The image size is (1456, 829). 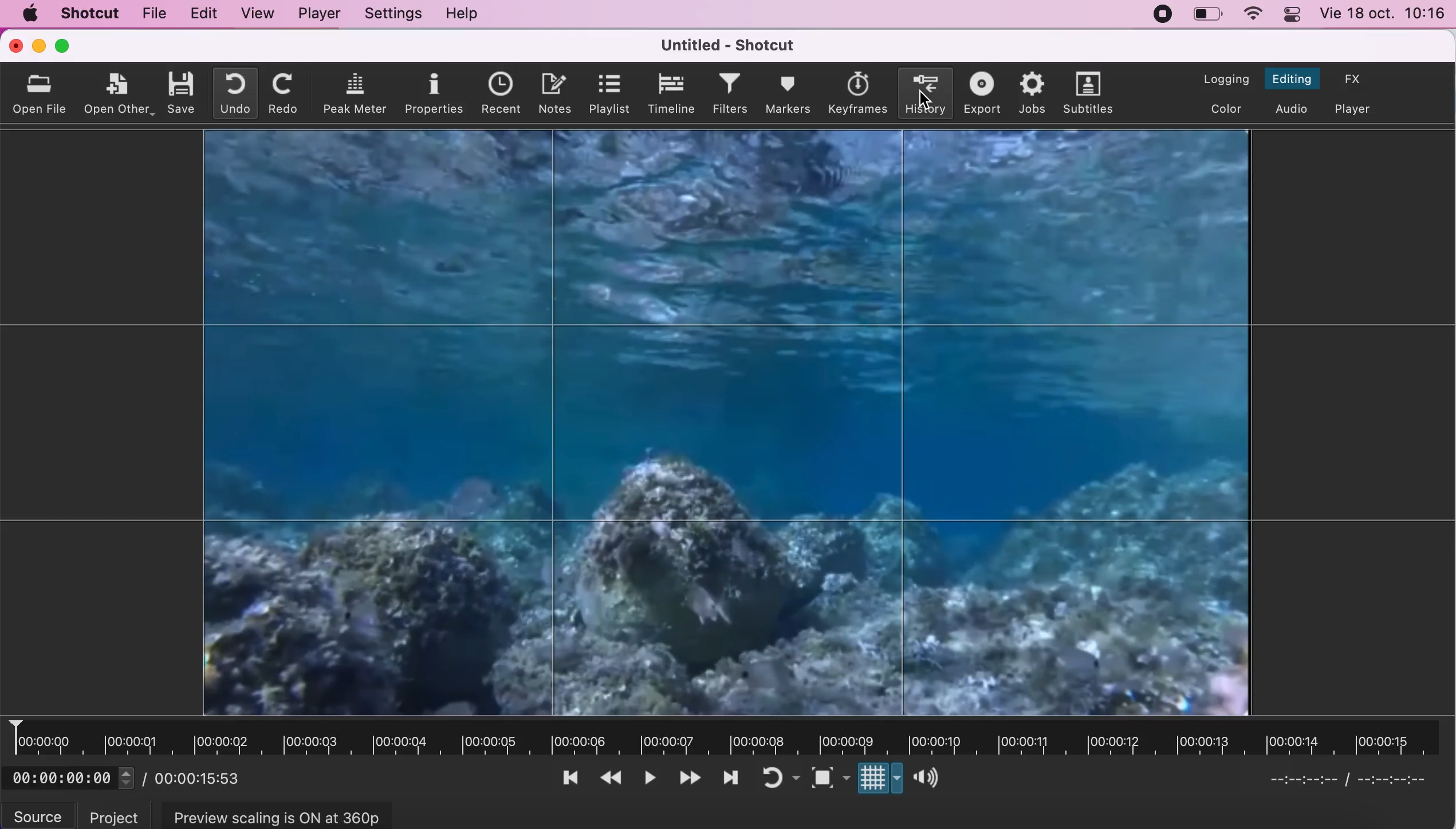 What do you see at coordinates (282, 94) in the screenshot?
I see `redo` at bounding box center [282, 94].